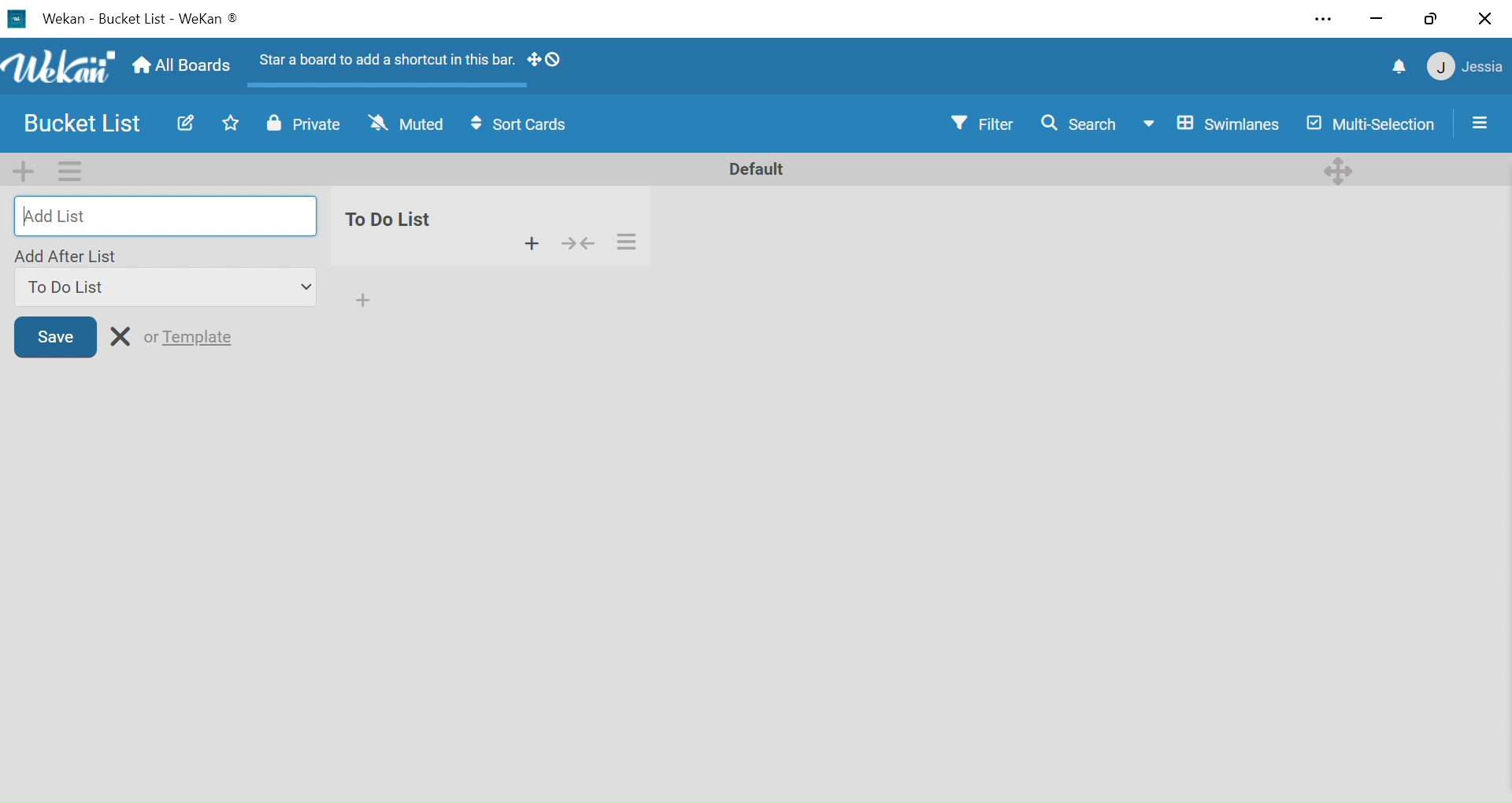 Image resolution: width=1512 pixels, height=803 pixels. I want to click on Save, so click(56, 334).